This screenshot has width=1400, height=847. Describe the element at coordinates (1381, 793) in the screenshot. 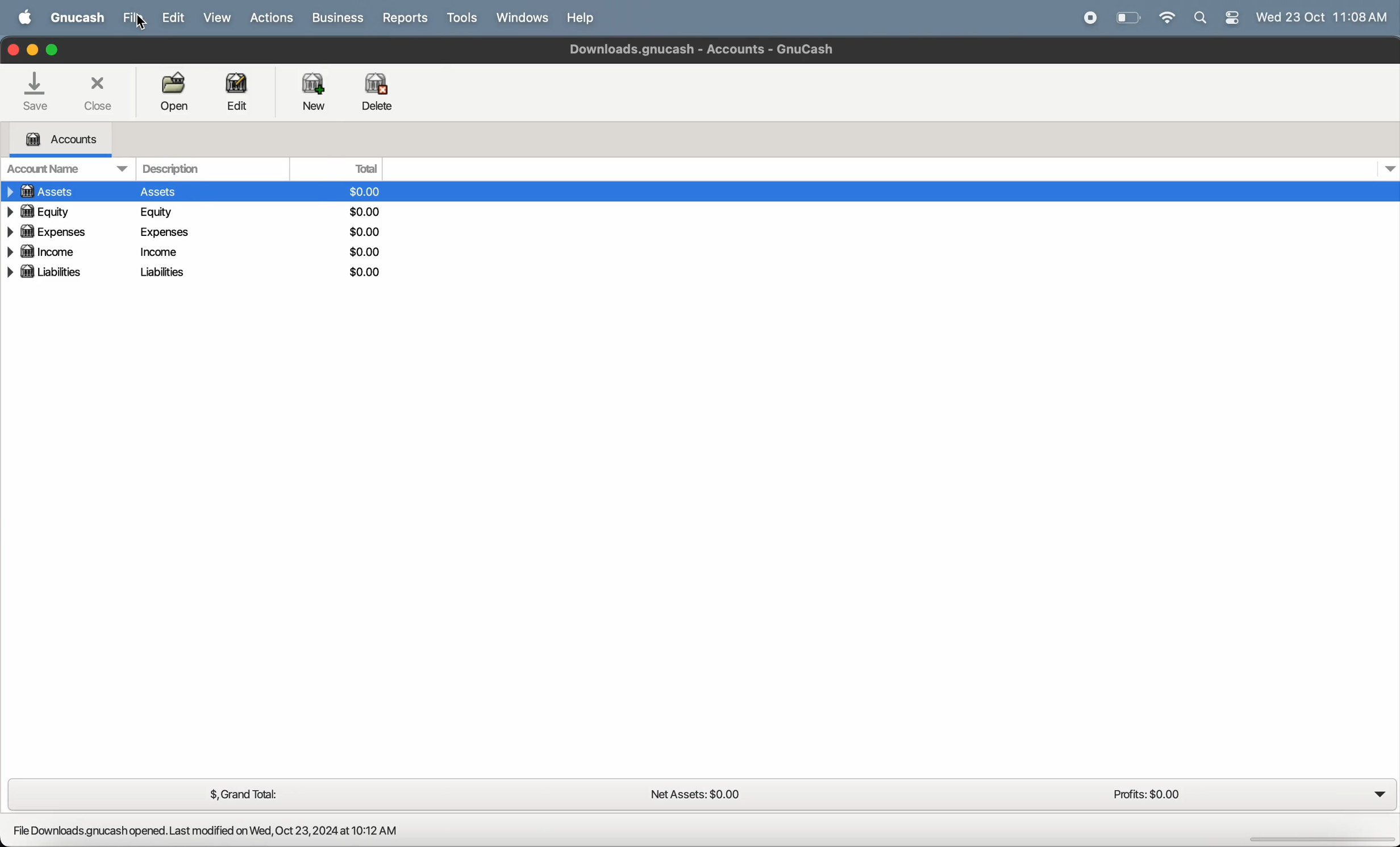

I see `dropdown` at that location.